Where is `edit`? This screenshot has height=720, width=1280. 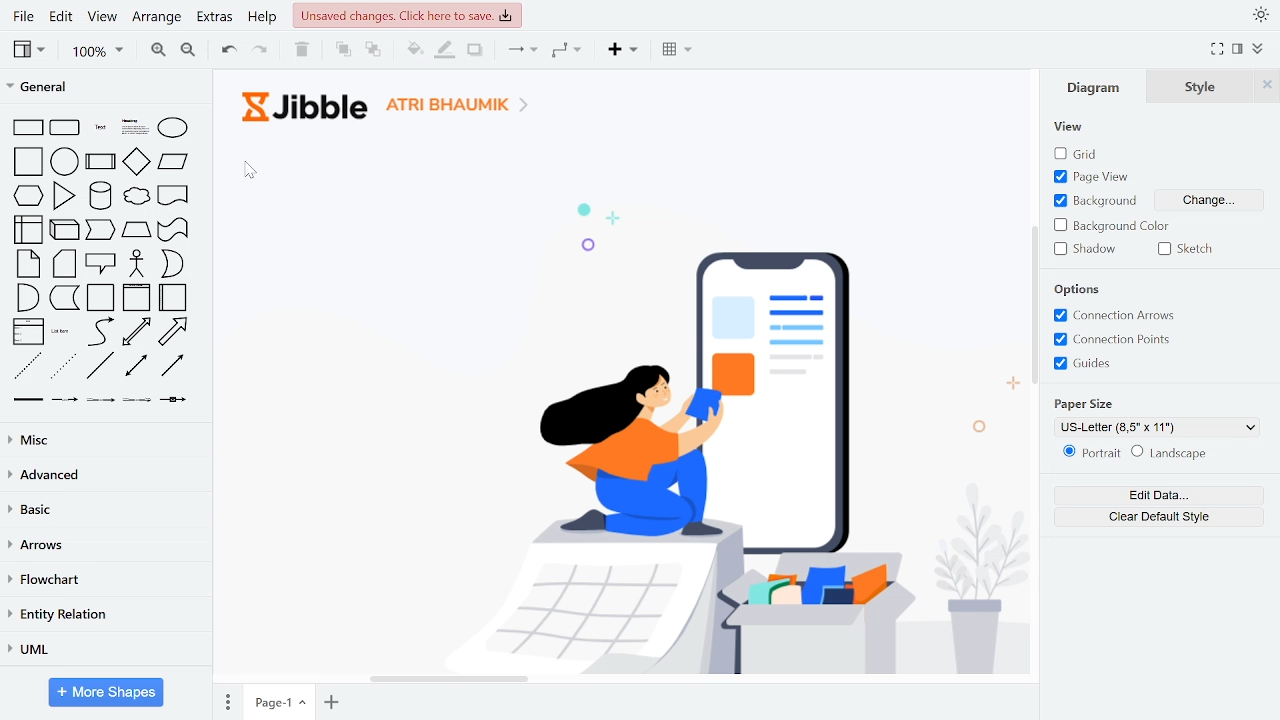 edit is located at coordinates (63, 16).